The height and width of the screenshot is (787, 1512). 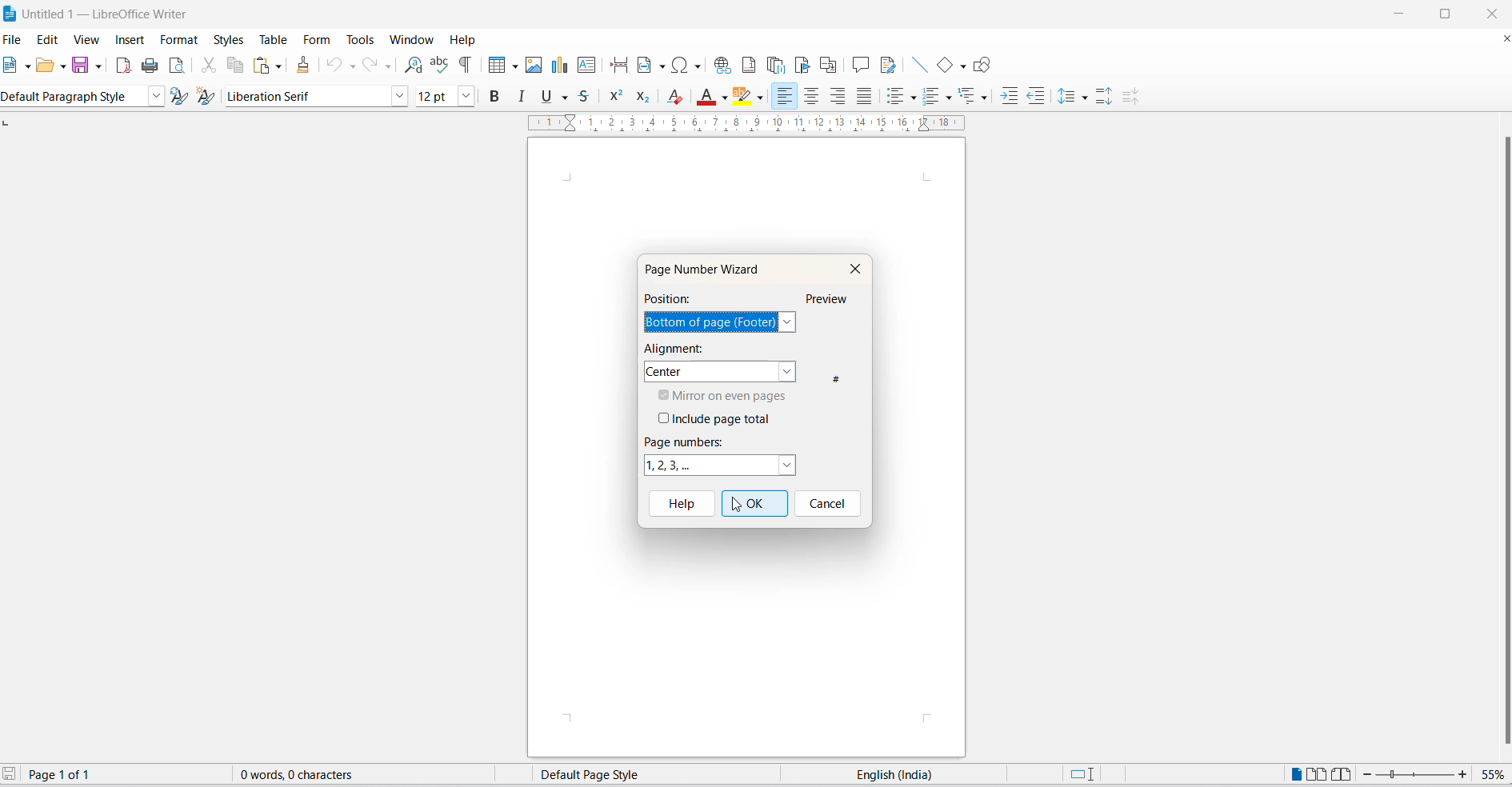 I want to click on toggle formatting marks, so click(x=466, y=66).